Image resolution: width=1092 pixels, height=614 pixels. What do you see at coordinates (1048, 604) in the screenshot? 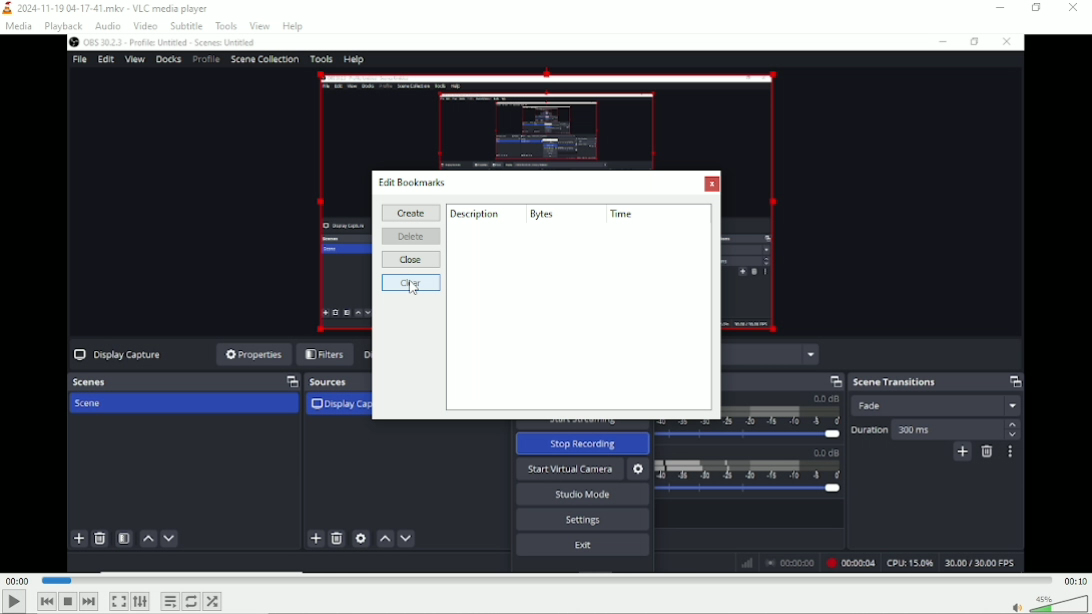
I see `Volume` at bounding box center [1048, 604].